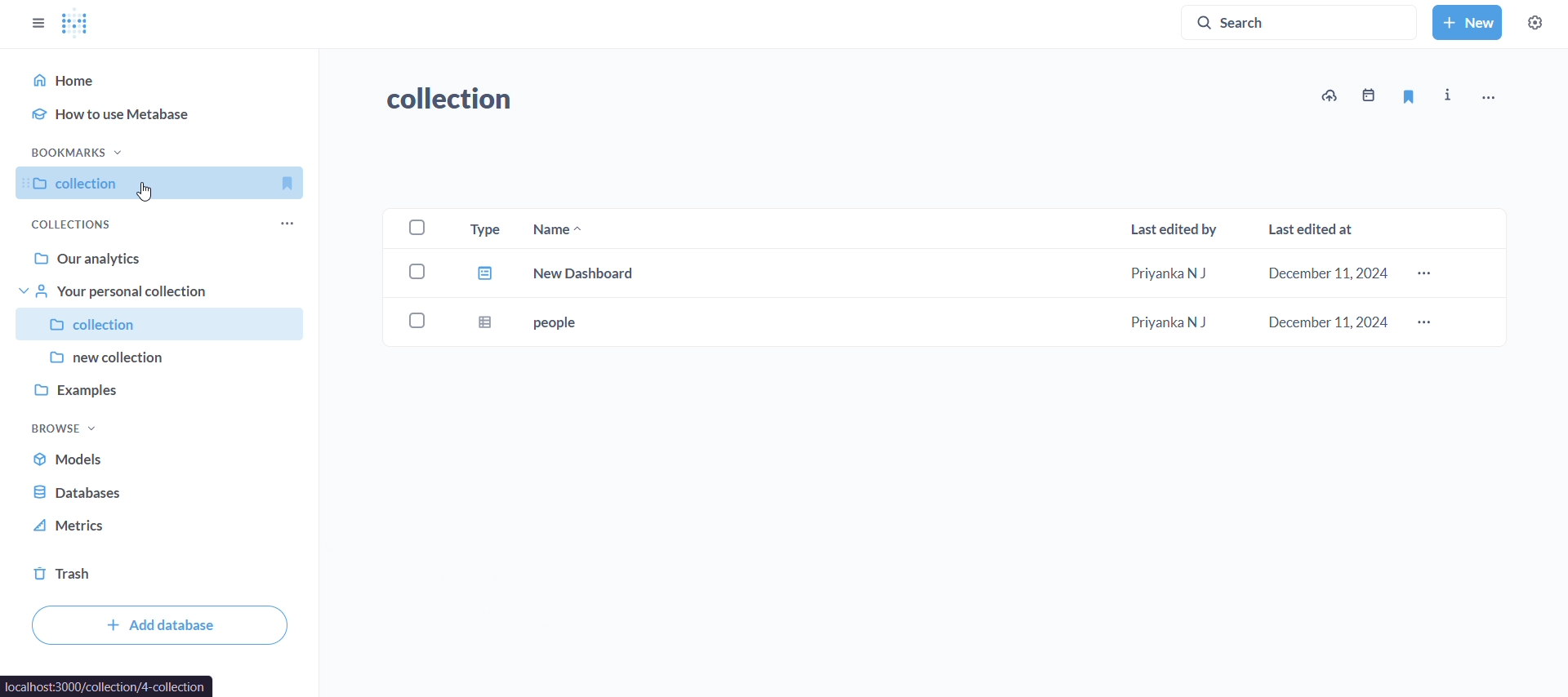 Image resolution: width=1568 pixels, height=697 pixels. Describe the element at coordinates (143, 491) in the screenshot. I see `database` at that location.